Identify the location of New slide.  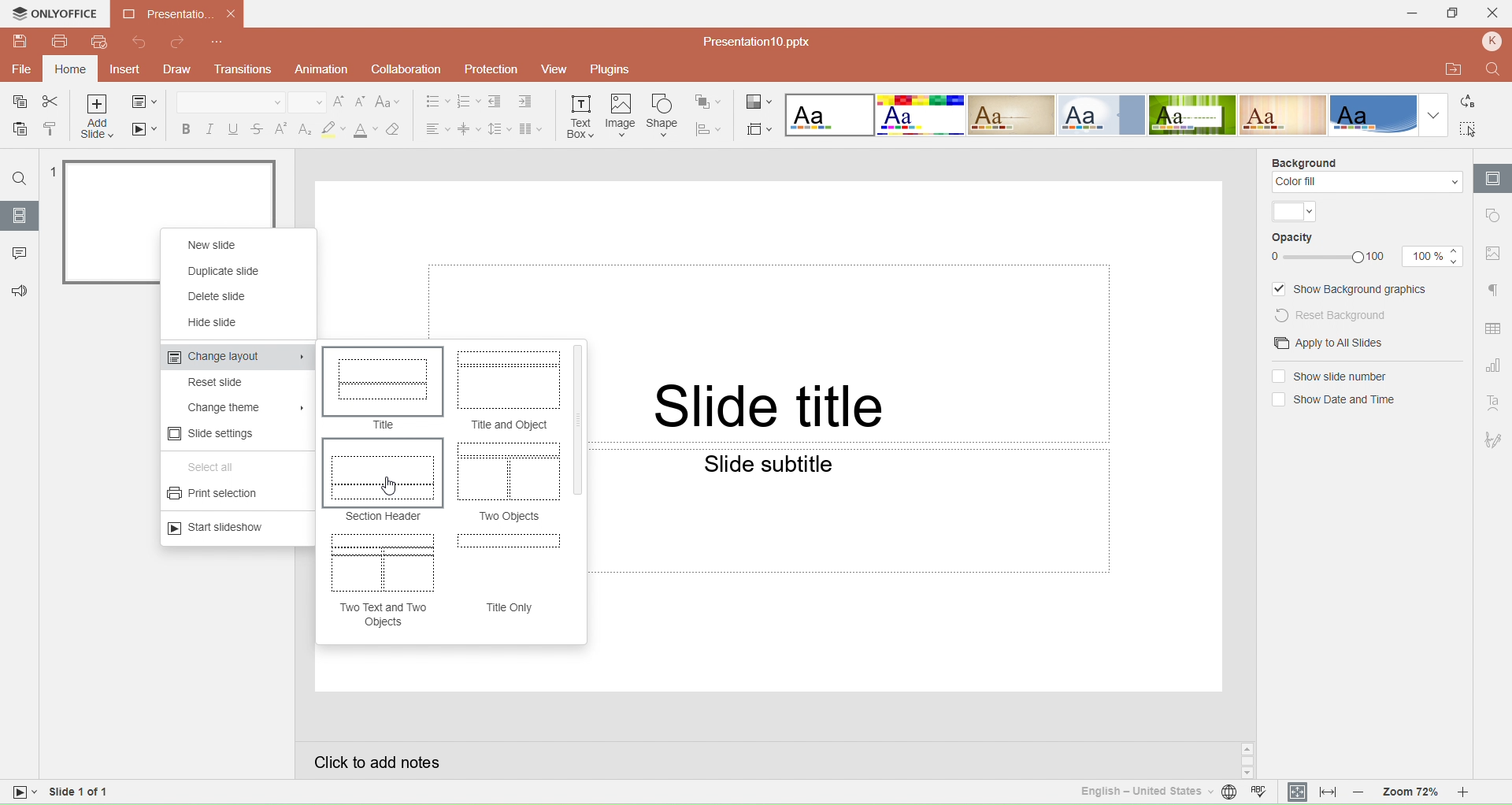
(213, 246).